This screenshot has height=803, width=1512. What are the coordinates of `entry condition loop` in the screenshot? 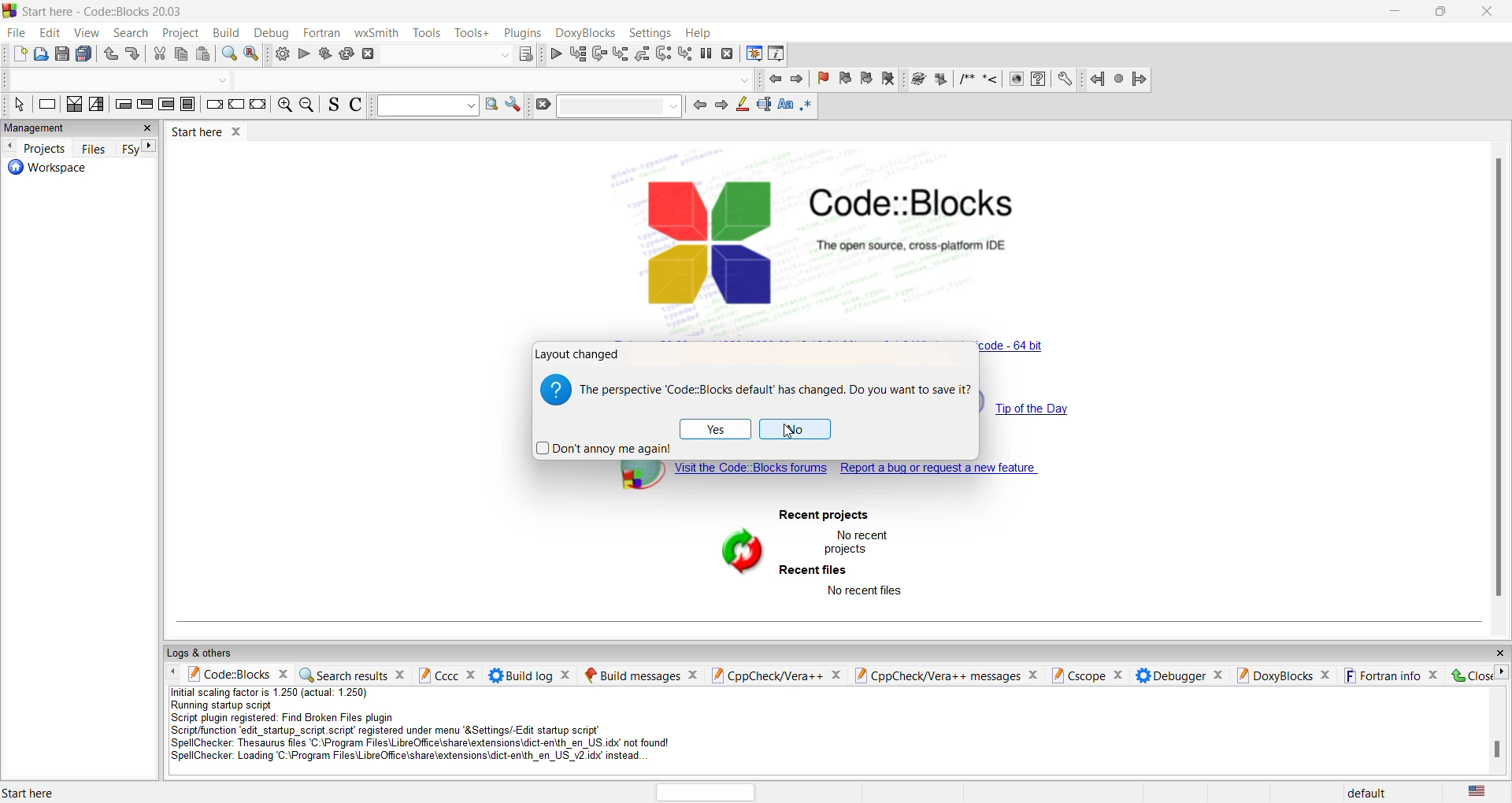 It's located at (124, 106).